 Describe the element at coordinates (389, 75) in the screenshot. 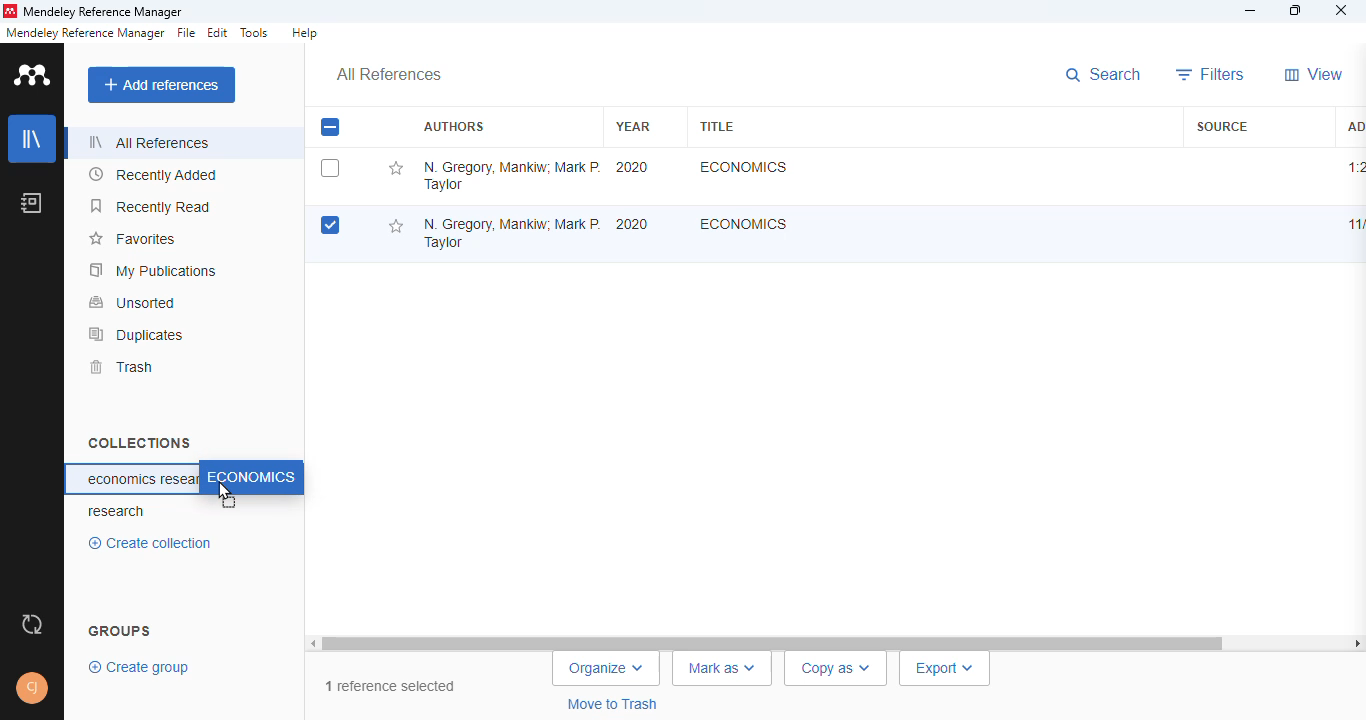

I see `all references` at that location.